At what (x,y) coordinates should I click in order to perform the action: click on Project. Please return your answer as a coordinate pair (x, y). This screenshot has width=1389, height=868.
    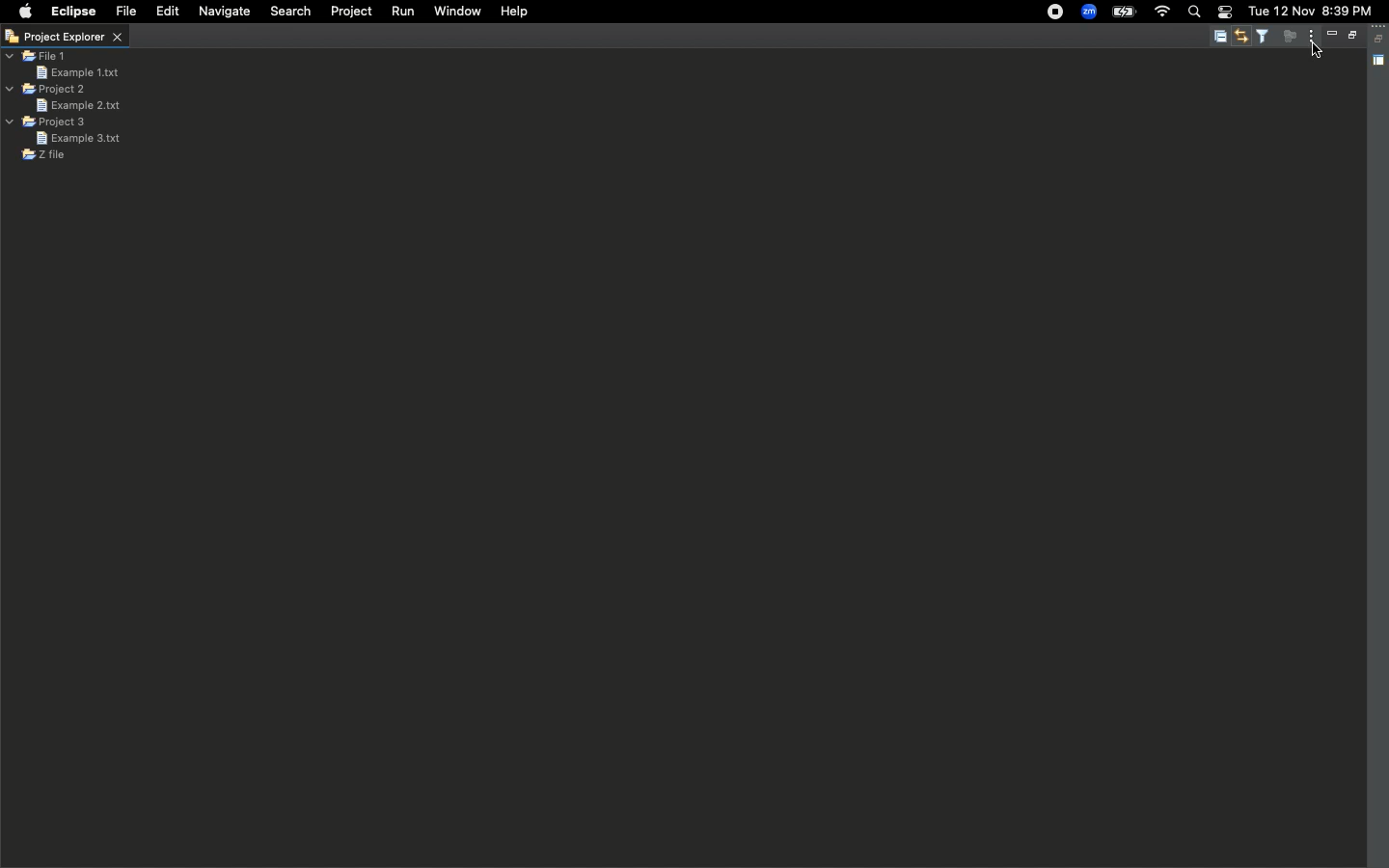
    Looking at the image, I should click on (353, 13).